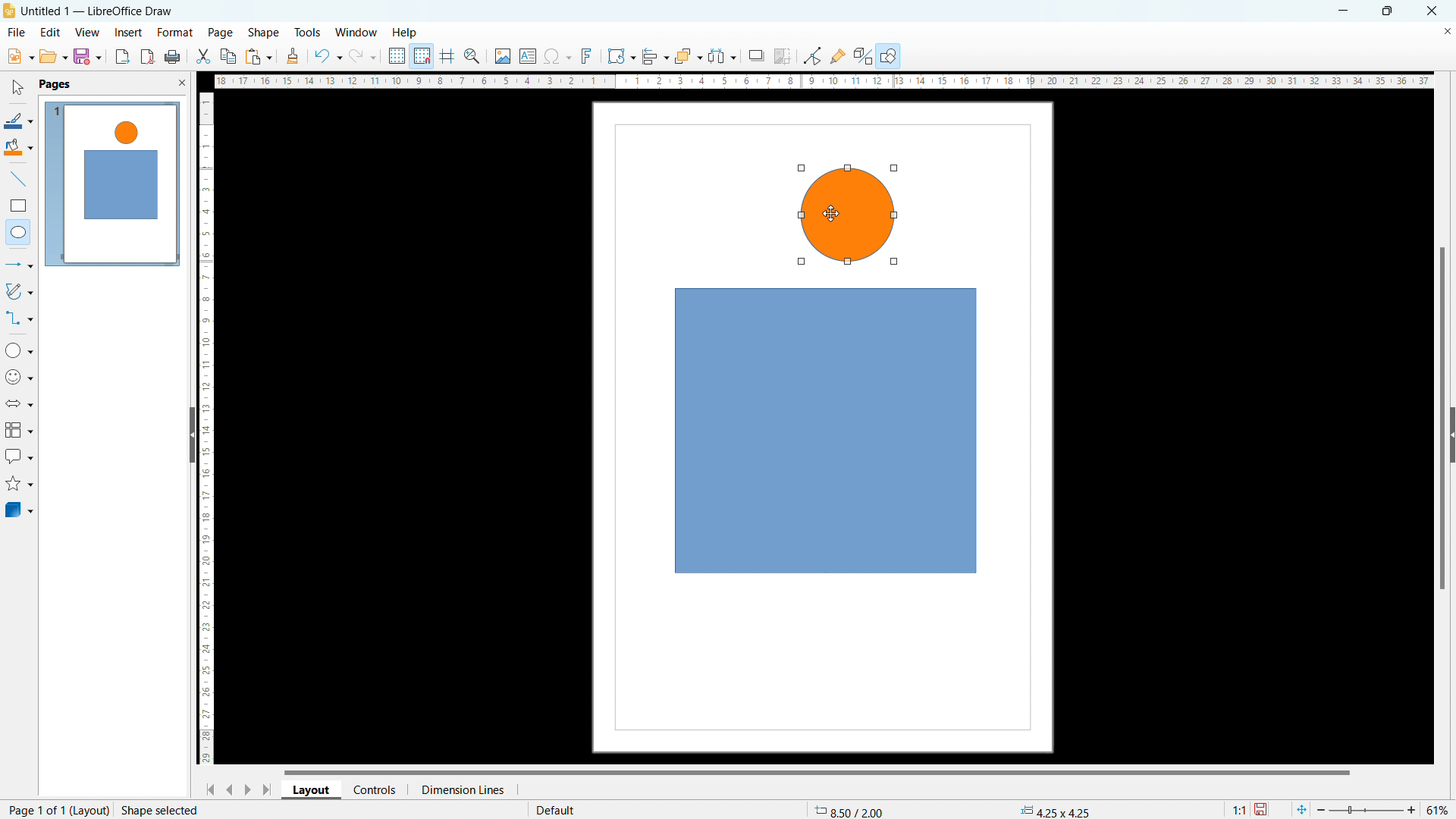  I want to click on guidelines while moving, so click(447, 57).